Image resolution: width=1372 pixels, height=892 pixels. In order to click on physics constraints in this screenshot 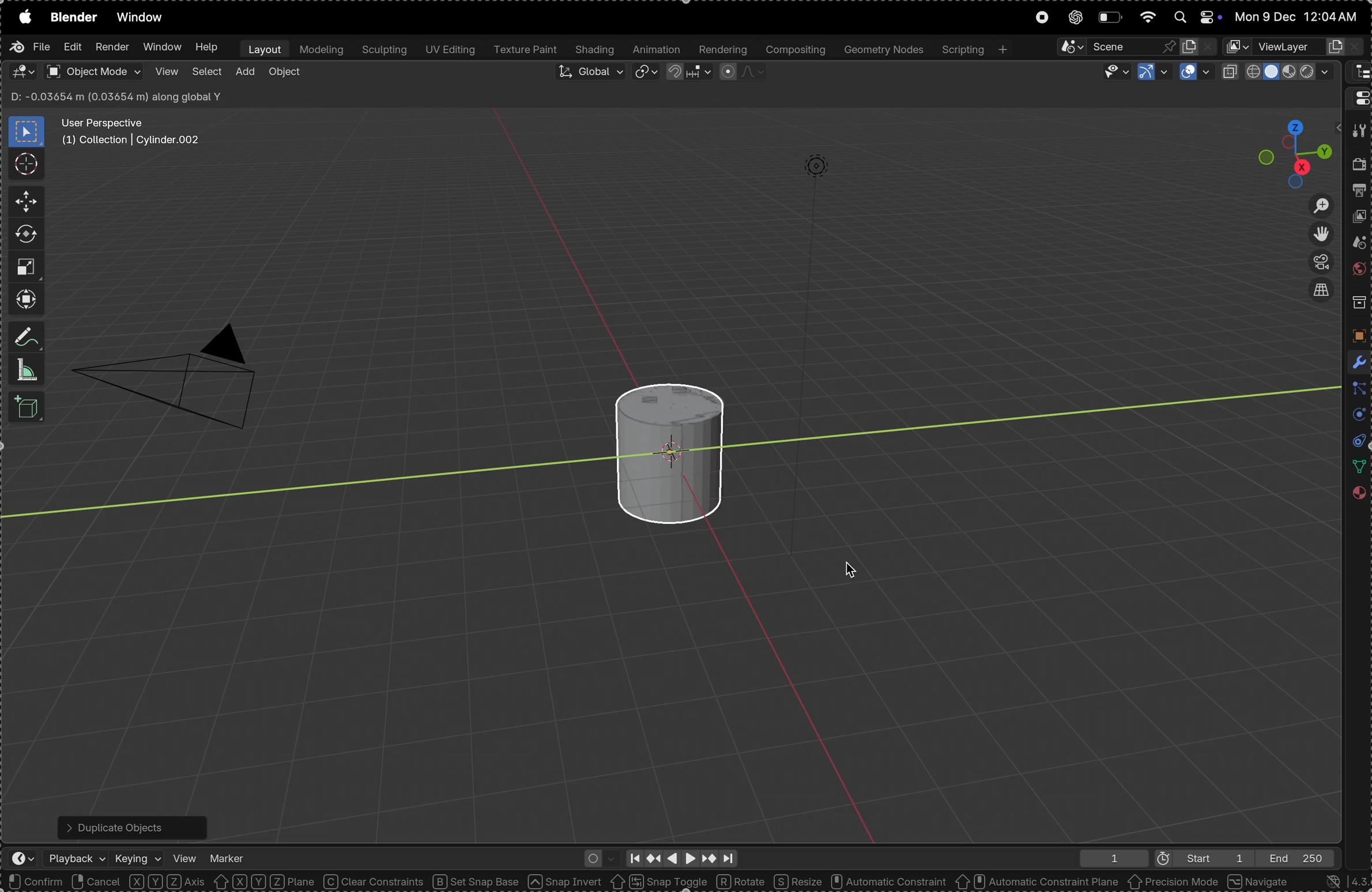, I will do `click(1355, 442)`.